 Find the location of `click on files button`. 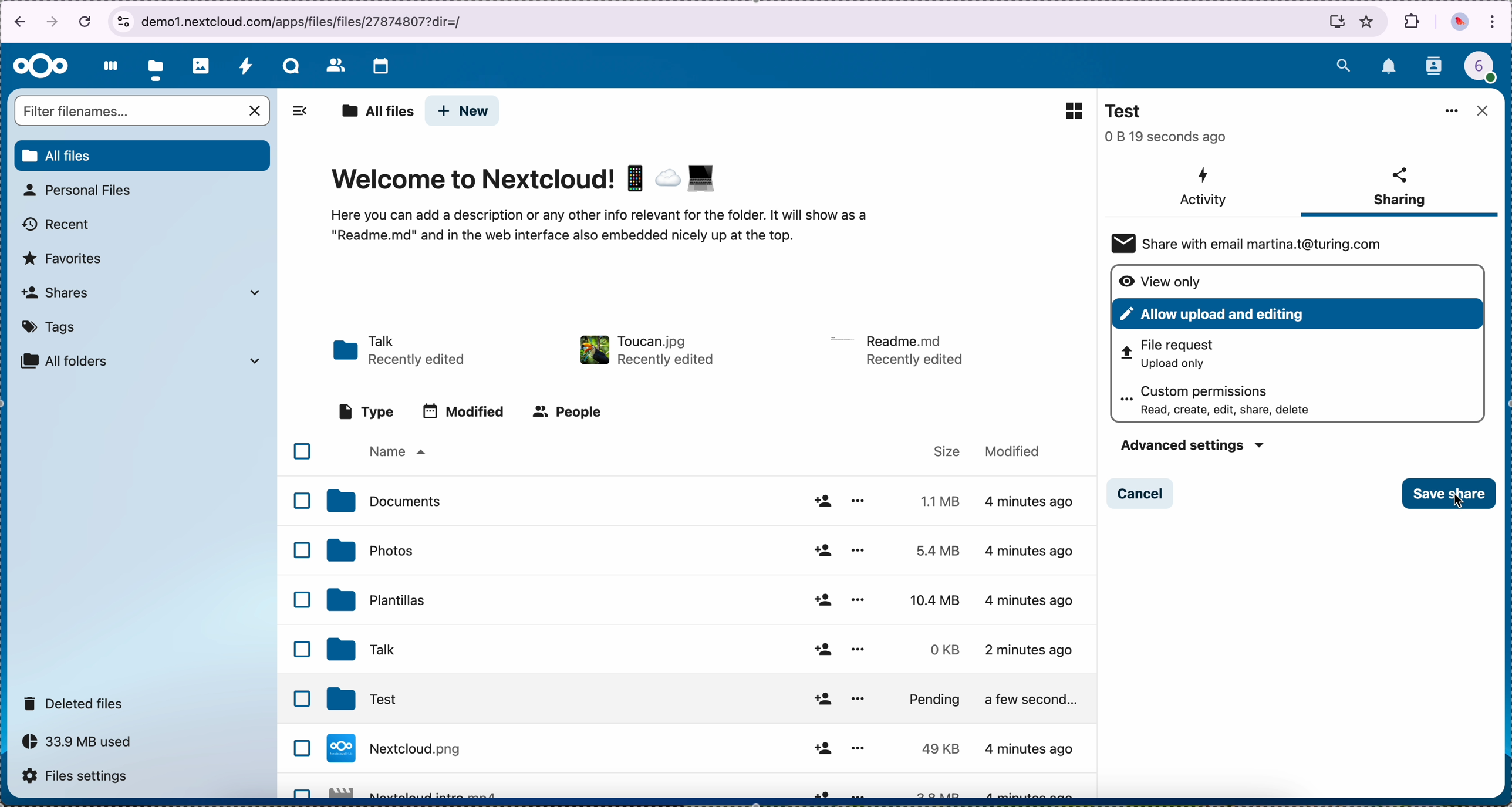

click on files button is located at coordinates (158, 66).